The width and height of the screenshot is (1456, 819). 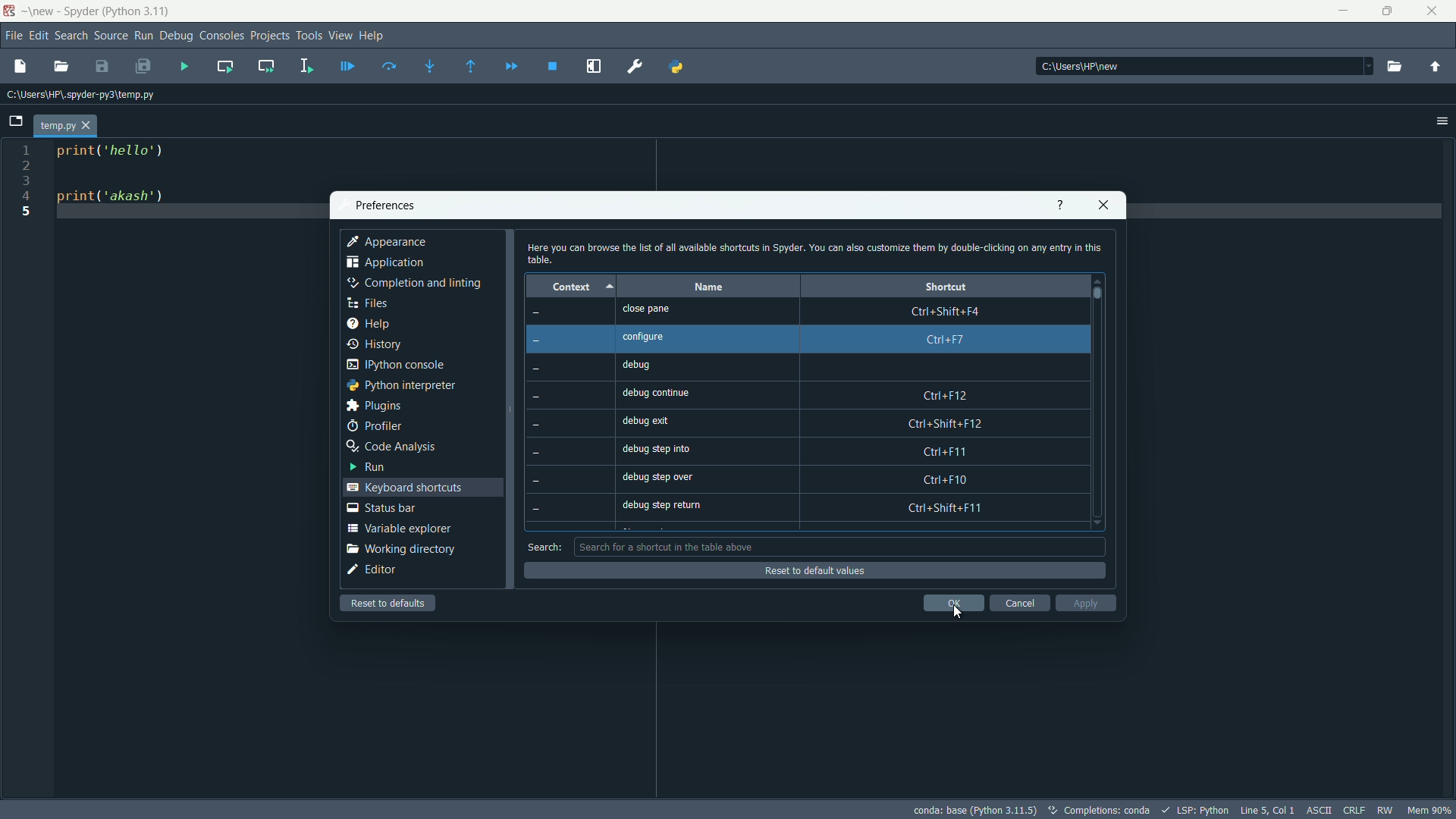 I want to click on files, so click(x=367, y=303).